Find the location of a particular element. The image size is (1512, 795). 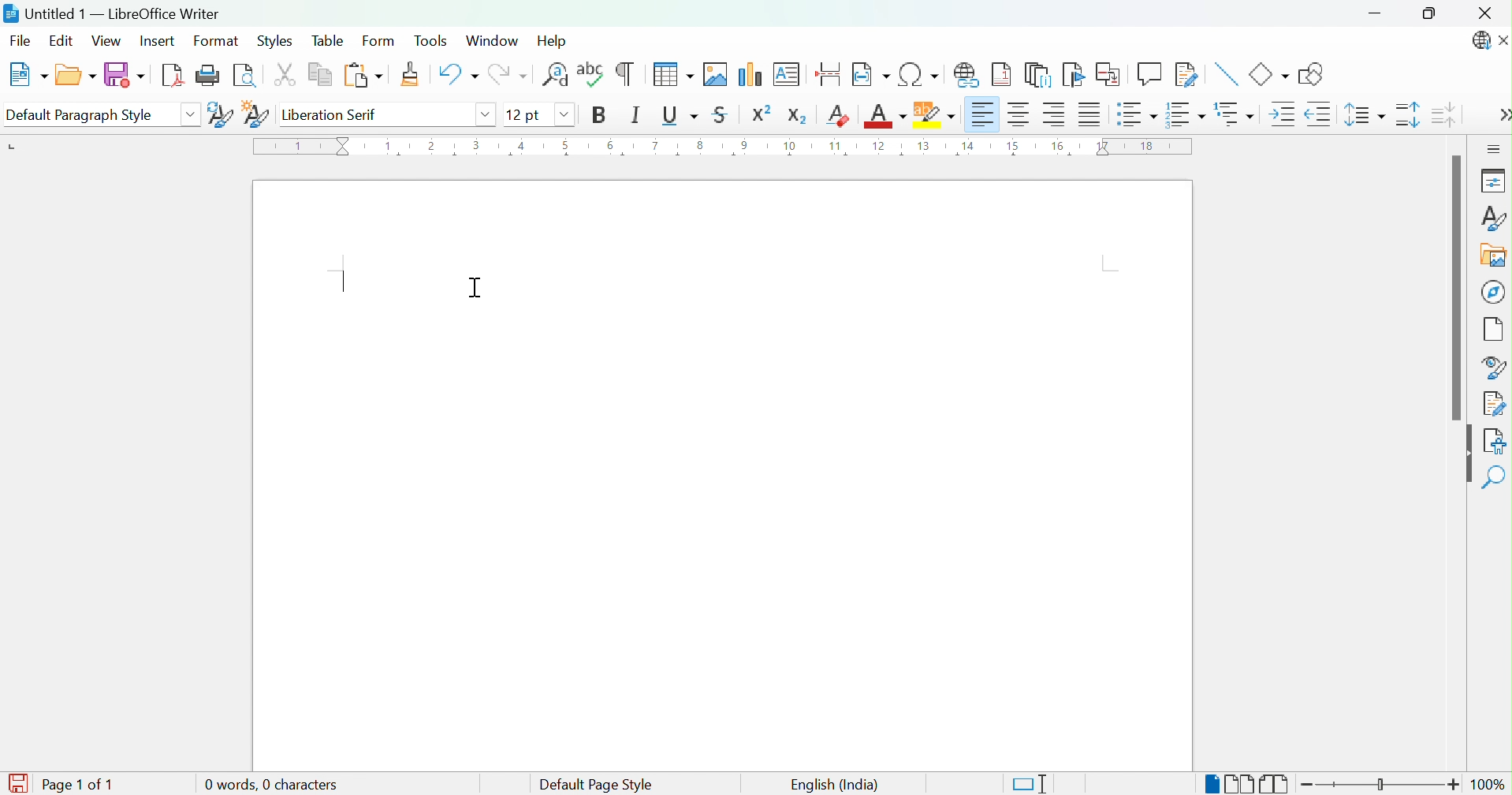

Open is located at coordinates (75, 76).